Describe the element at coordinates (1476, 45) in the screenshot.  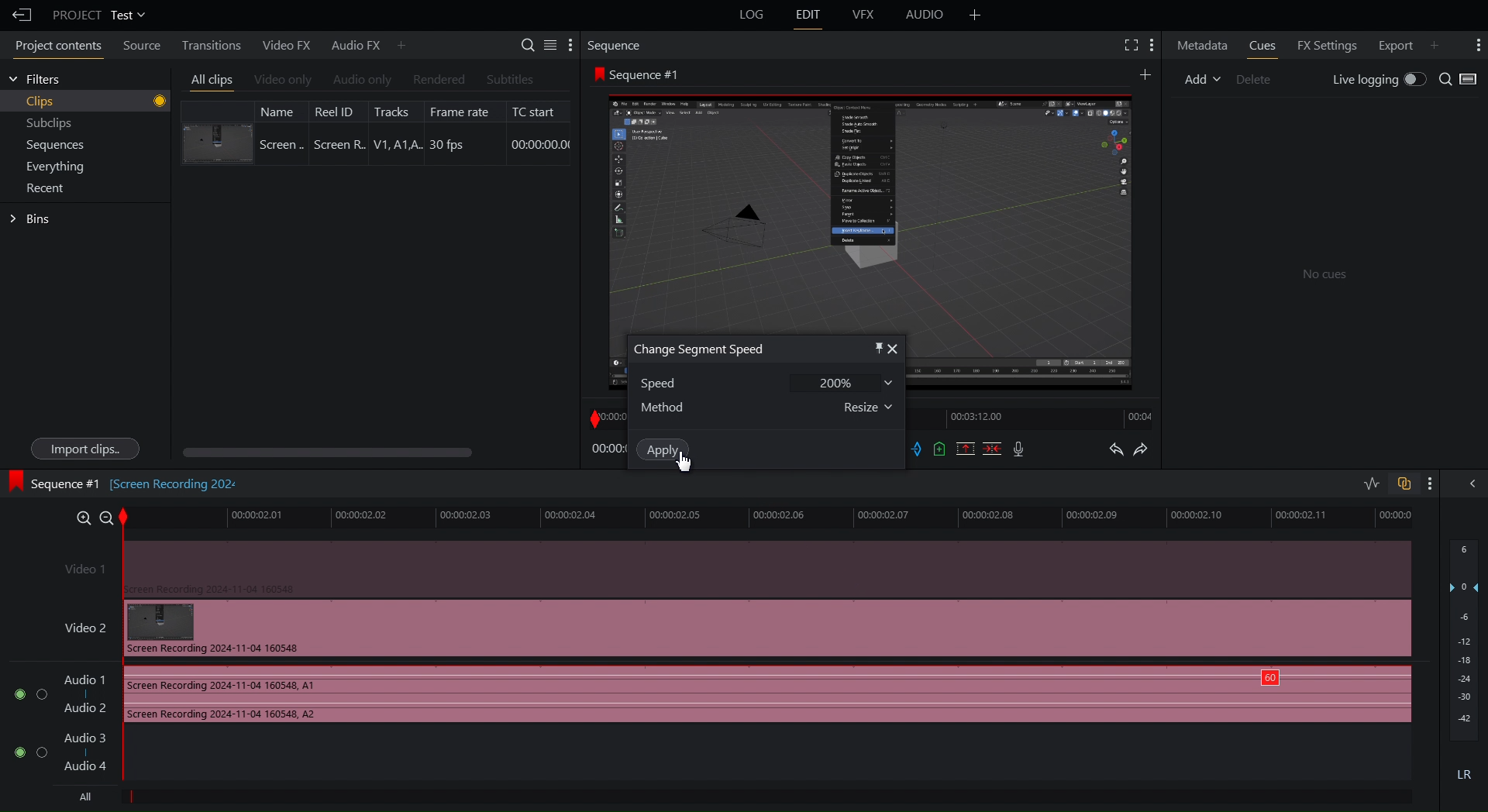
I see `More` at that location.